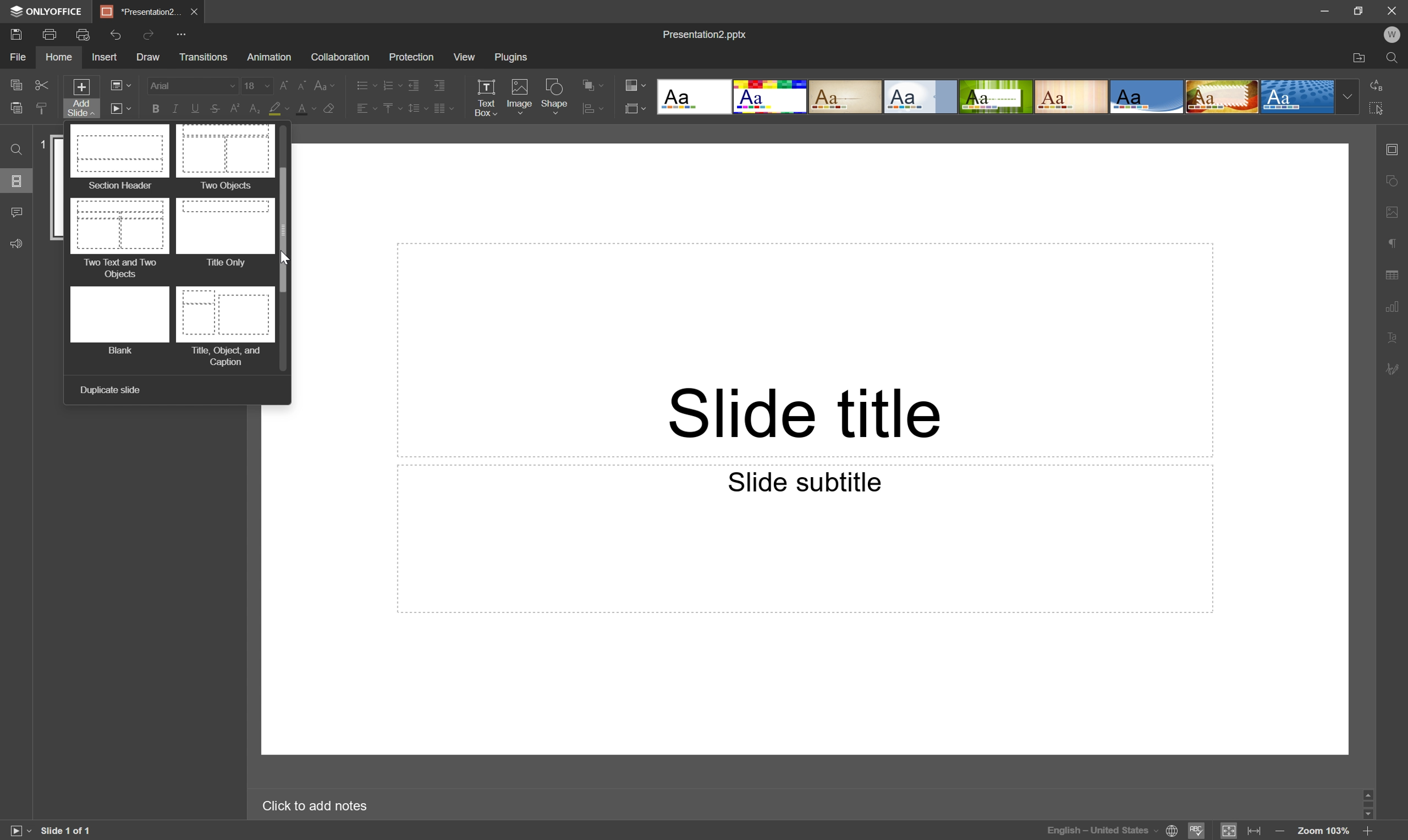 This screenshot has width=1408, height=840. What do you see at coordinates (184, 33) in the screenshot?
I see `Customize quick access toolbar` at bounding box center [184, 33].